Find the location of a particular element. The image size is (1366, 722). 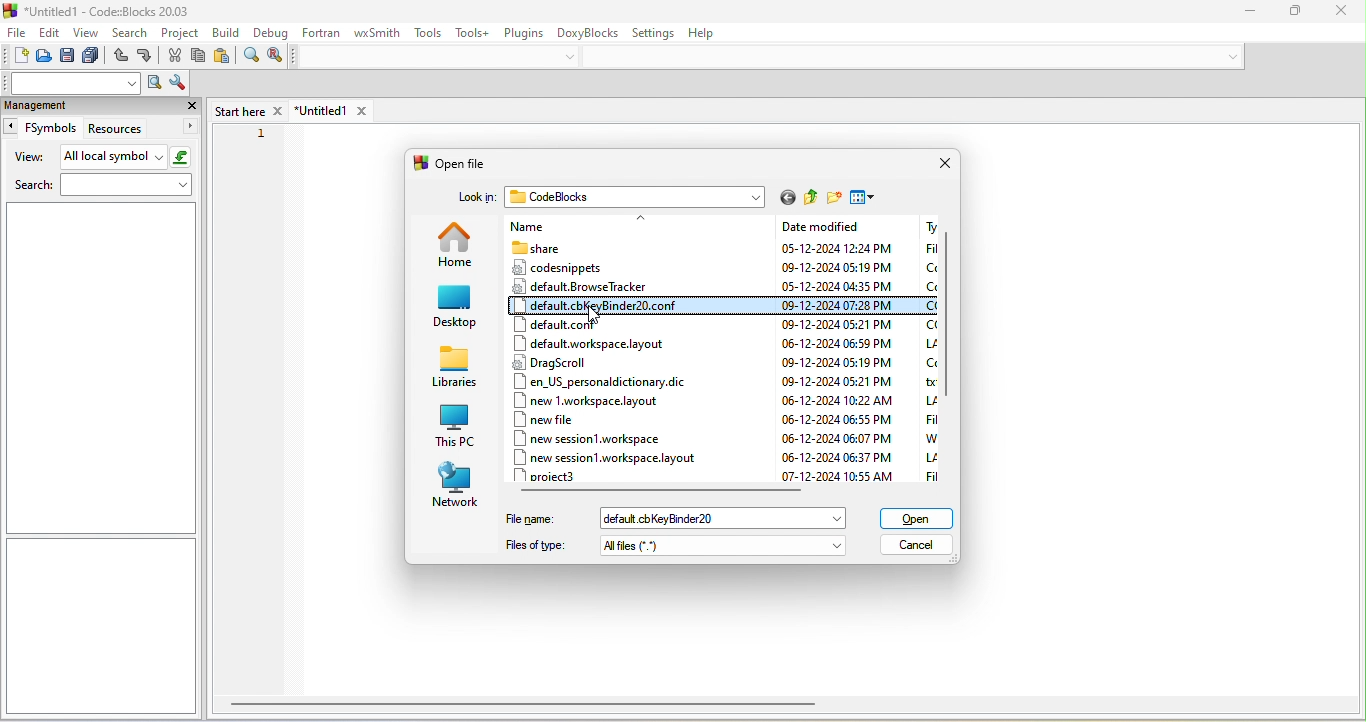

date is located at coordinates (841, 363).